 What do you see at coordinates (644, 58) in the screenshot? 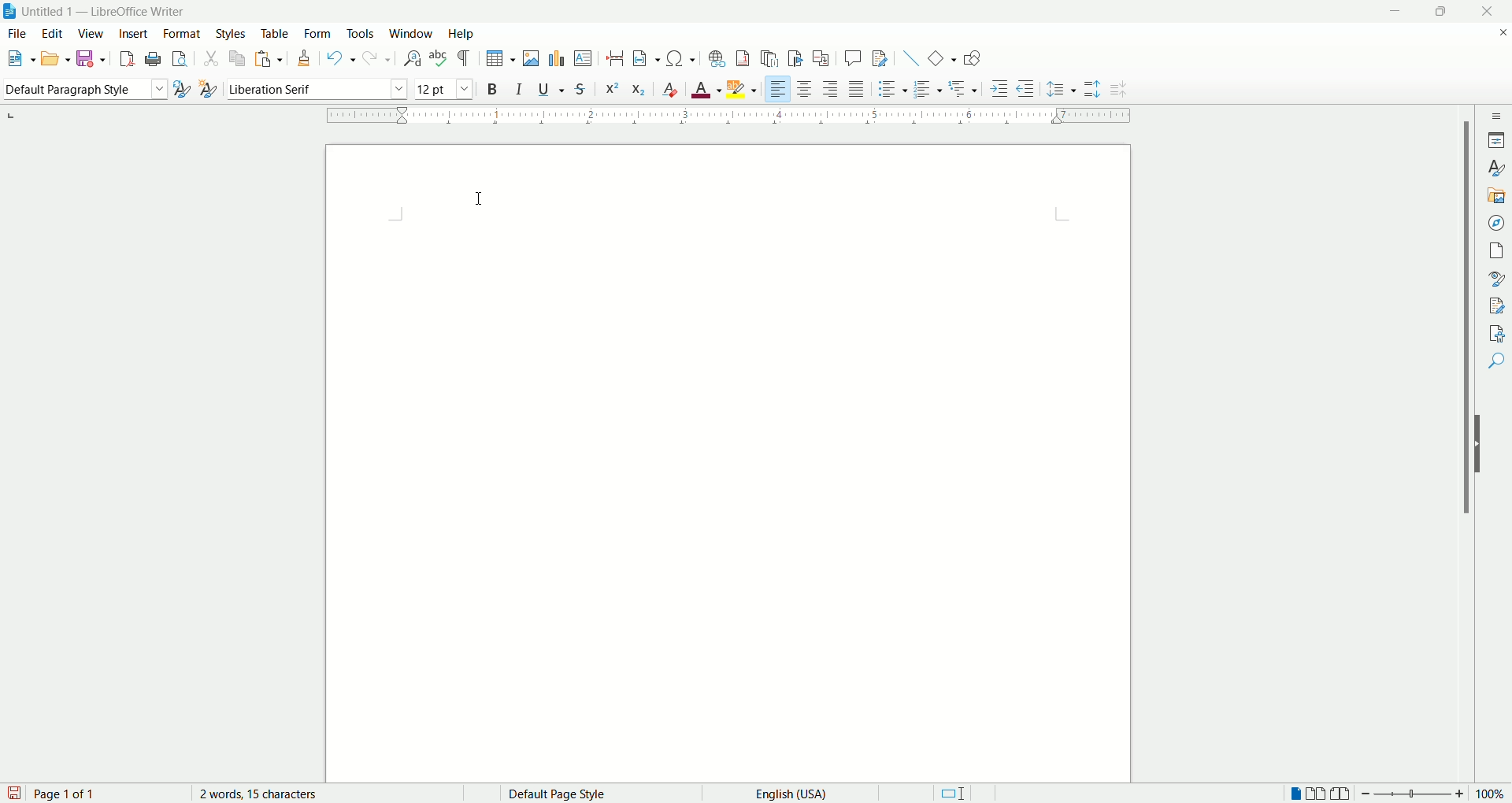
I see `insert field` at bounding box center [644, 58].